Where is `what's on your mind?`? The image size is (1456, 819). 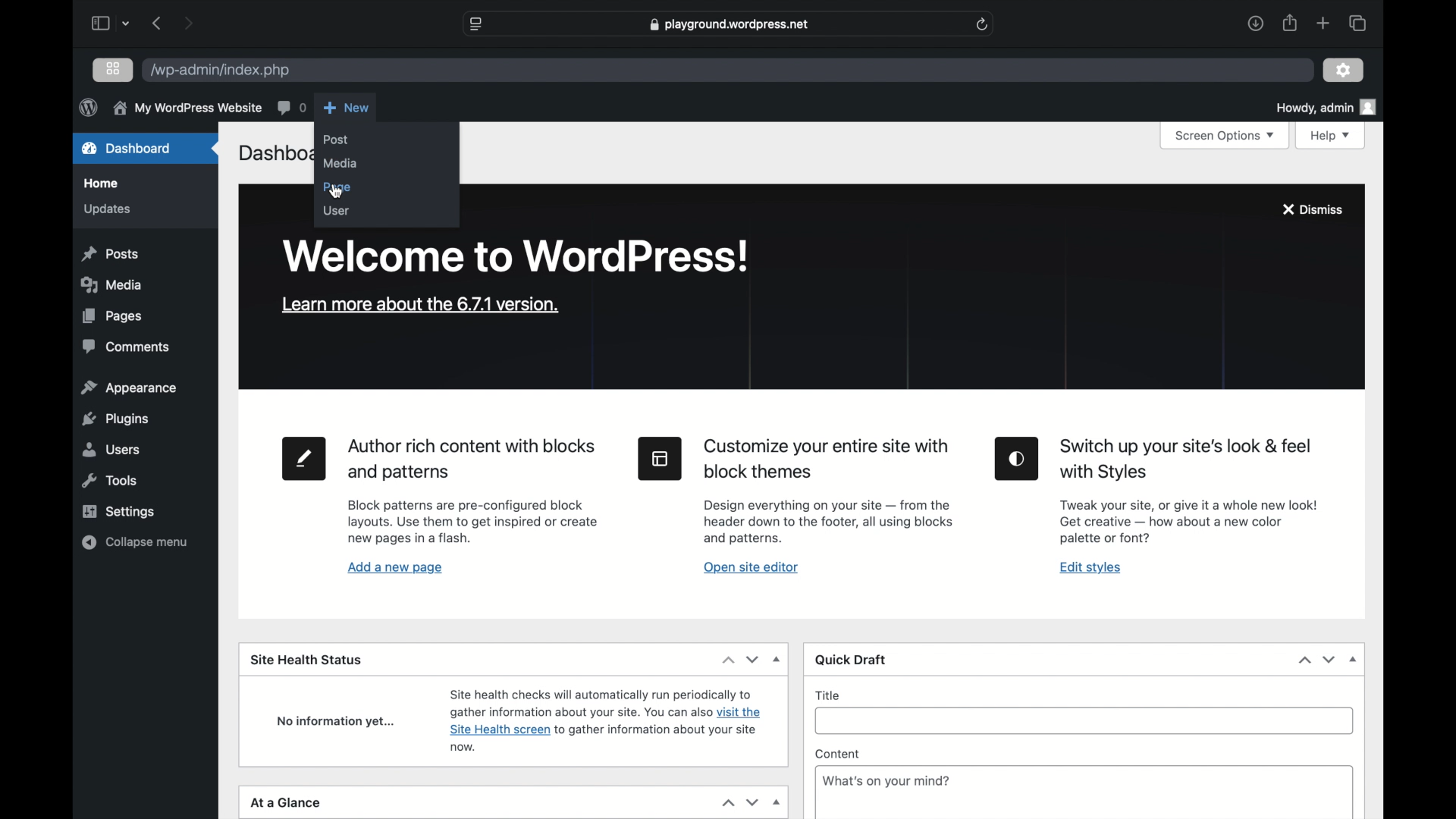 what's on your mind? is located at coordinates (886, 780).